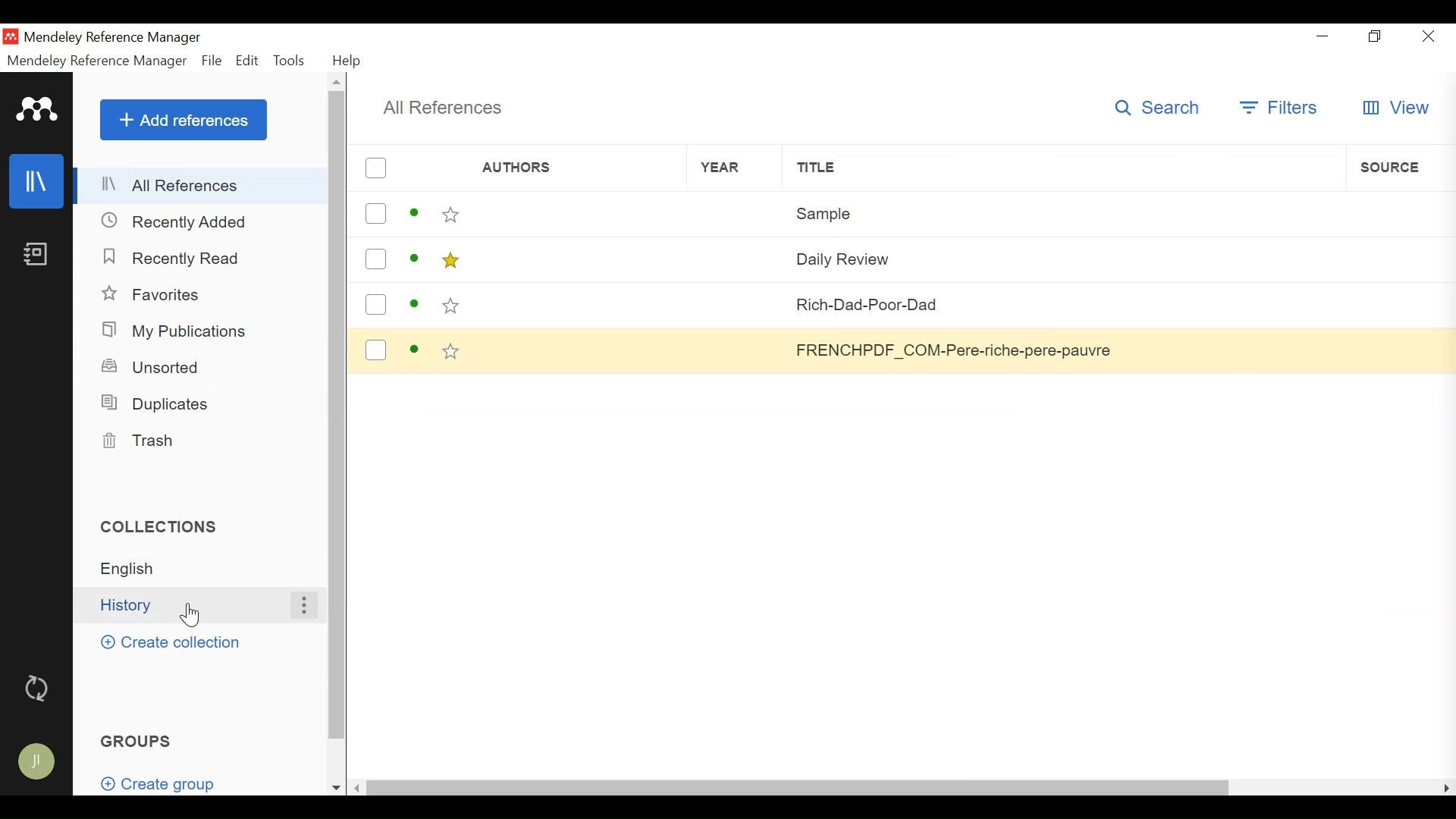 Image resolution: width=1456 pixels, height=819 pixels. What do you see at coordinates (336, 416) in the screenshot?
I see `Vertical Scroll barn` at bounding box center [336, 416].